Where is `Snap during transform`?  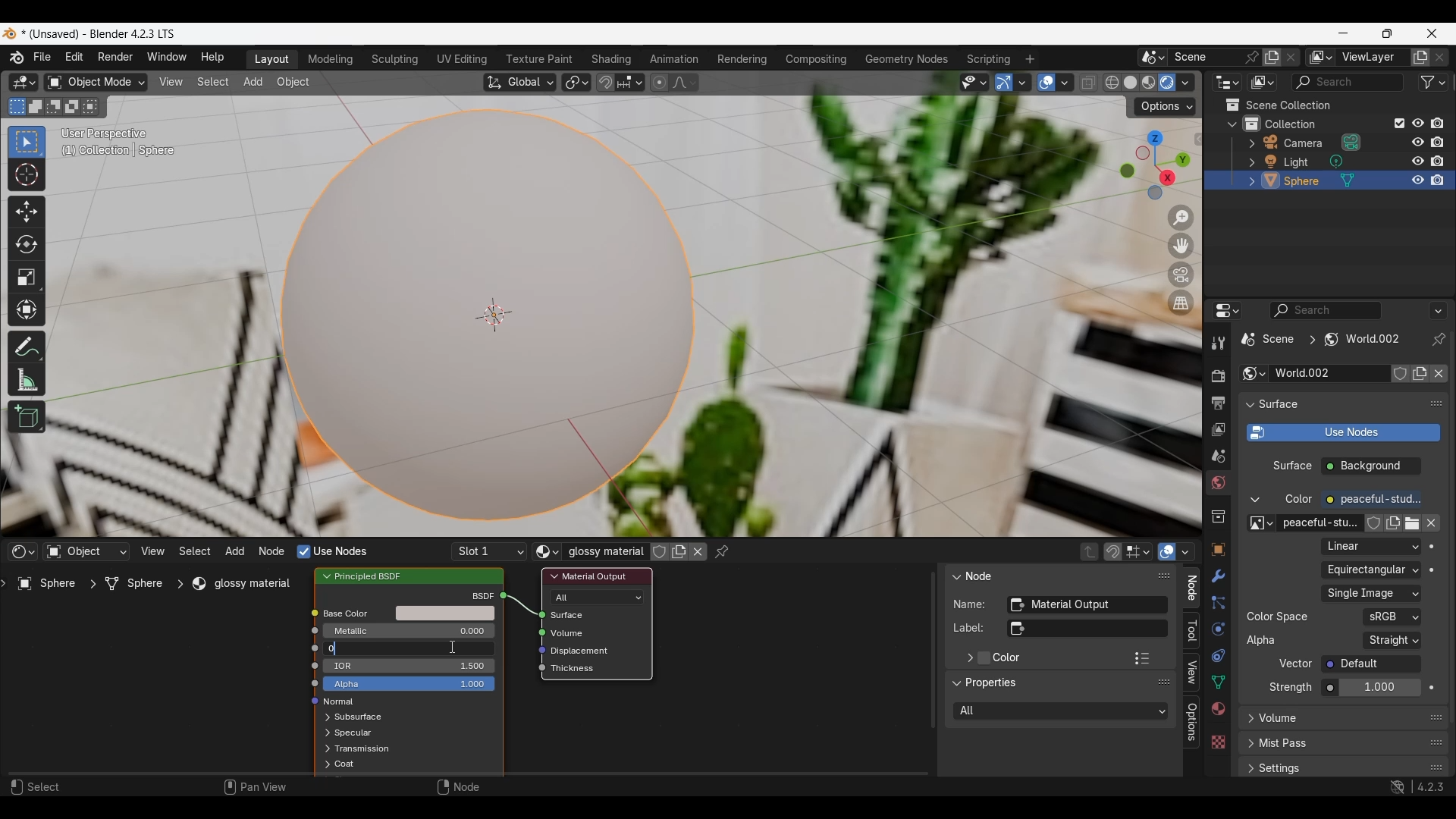
Snap during transform is located at coordinates (605, 82).